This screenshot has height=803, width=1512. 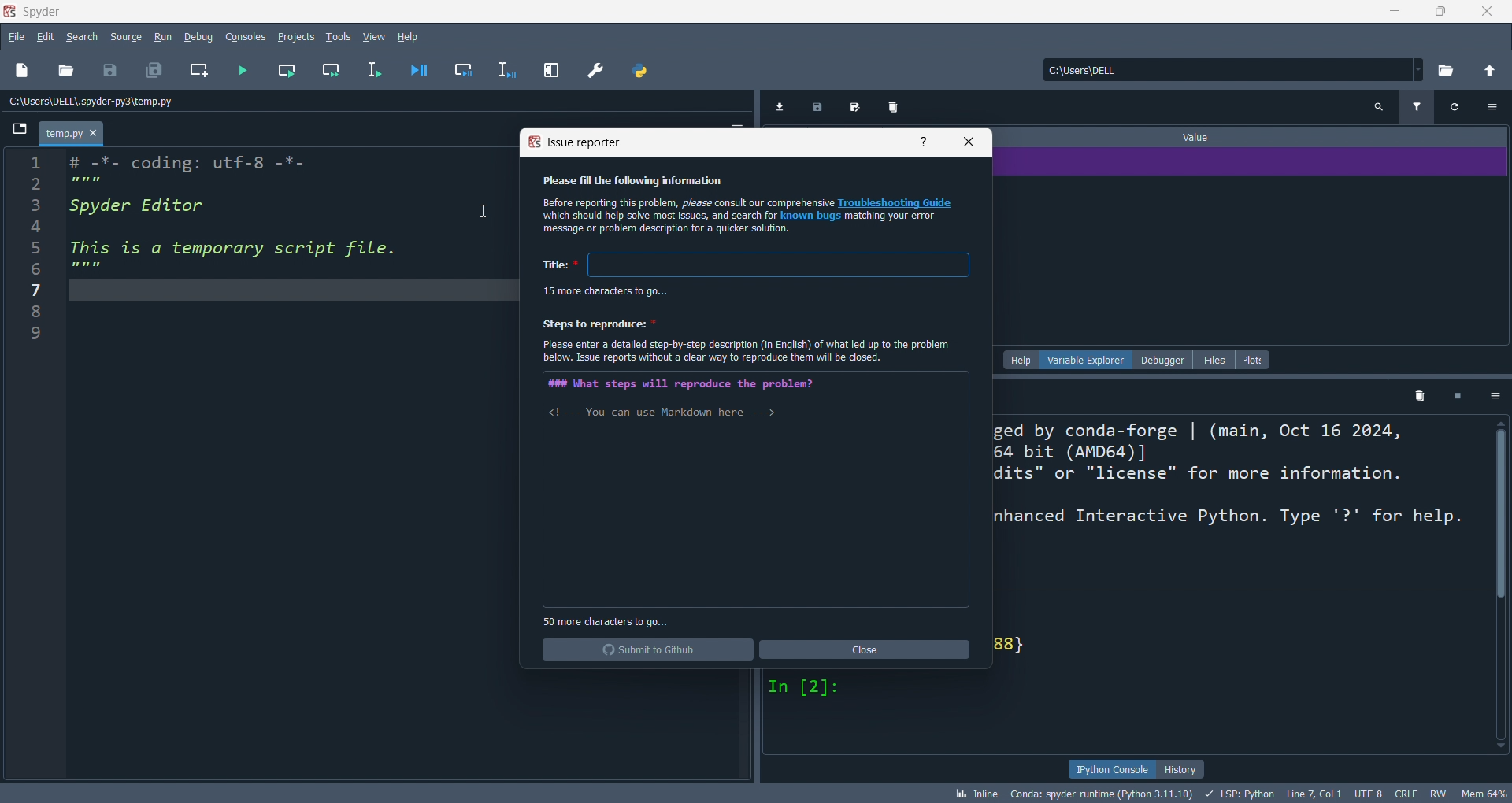 What do you see at coordinates (1421, 395) in the screenshot?
I see `Delete` at bounding box center [1421, 395].